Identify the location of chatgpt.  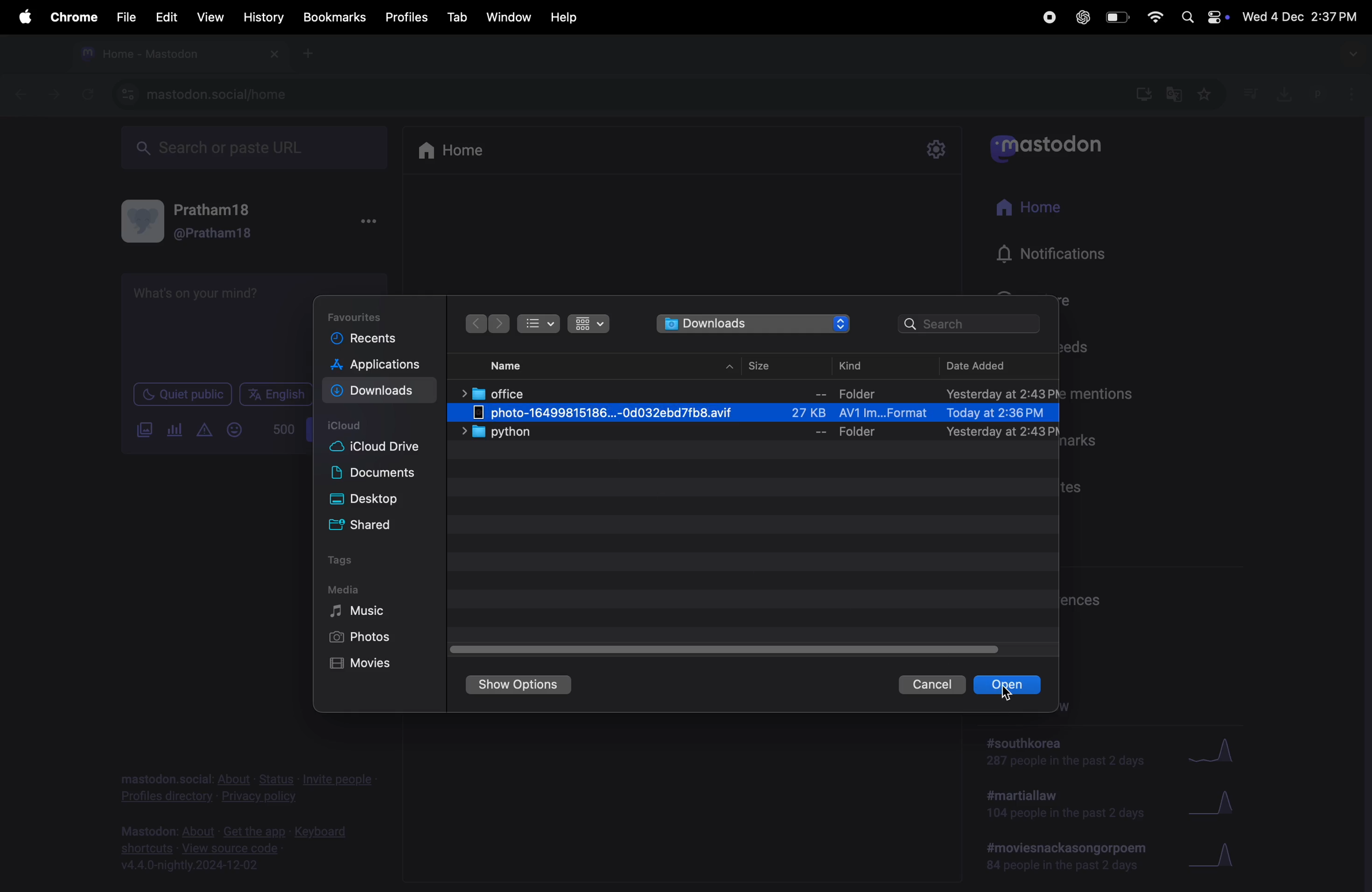
(1081, 17).